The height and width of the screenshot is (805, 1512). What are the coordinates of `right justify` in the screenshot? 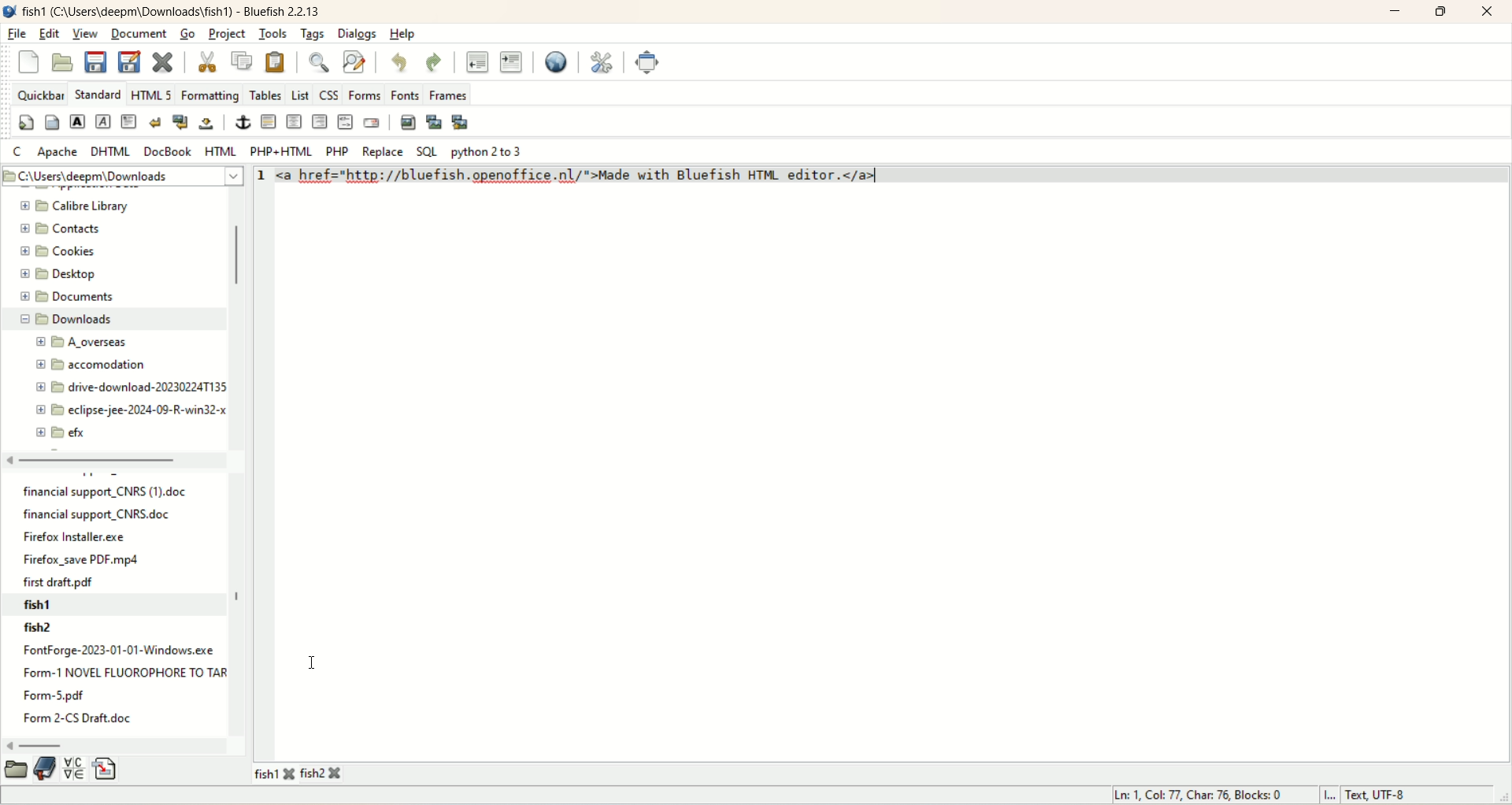 It's located at (321, 121).